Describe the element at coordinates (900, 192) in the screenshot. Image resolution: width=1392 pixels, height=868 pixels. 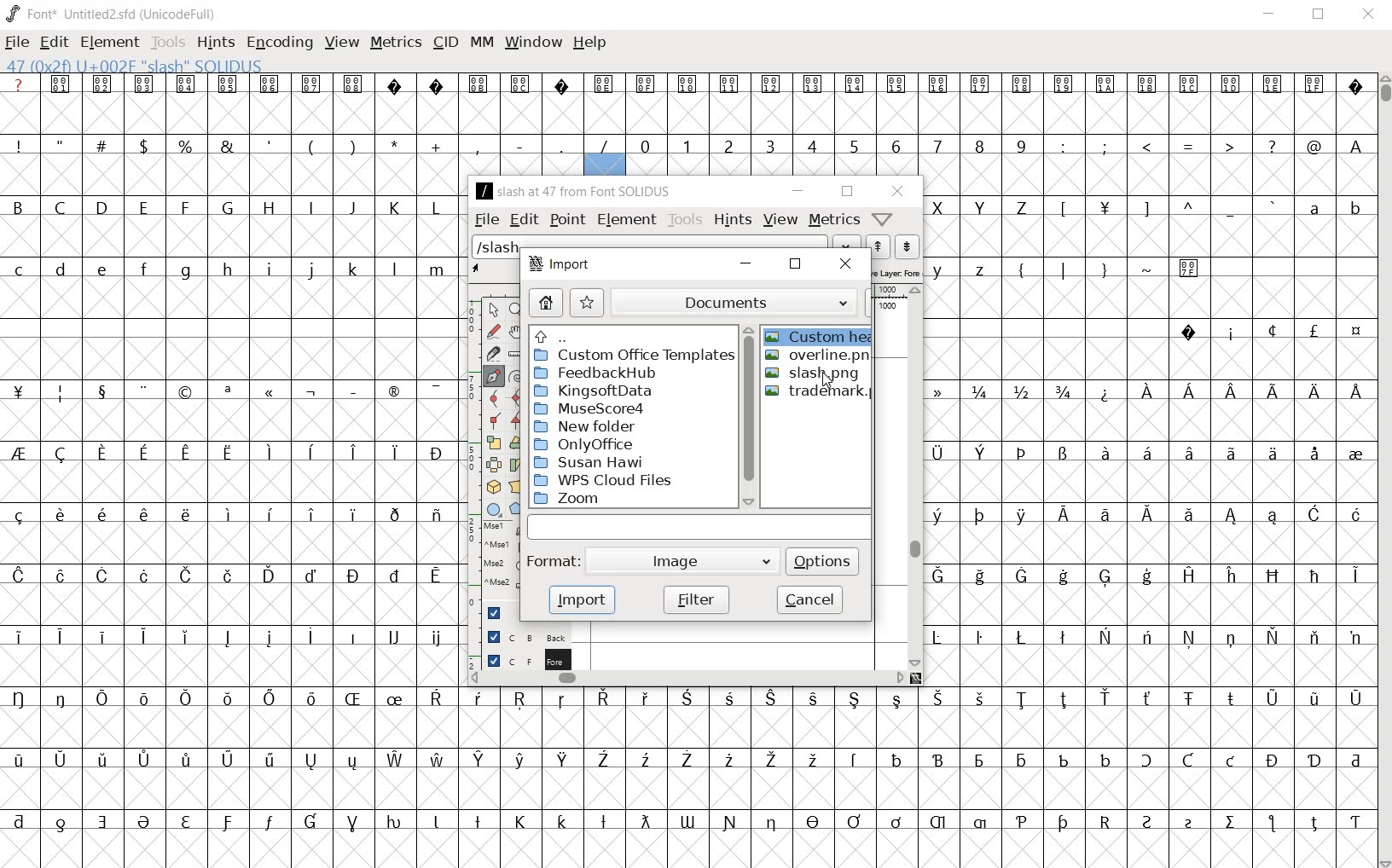
I see `close` at that location.